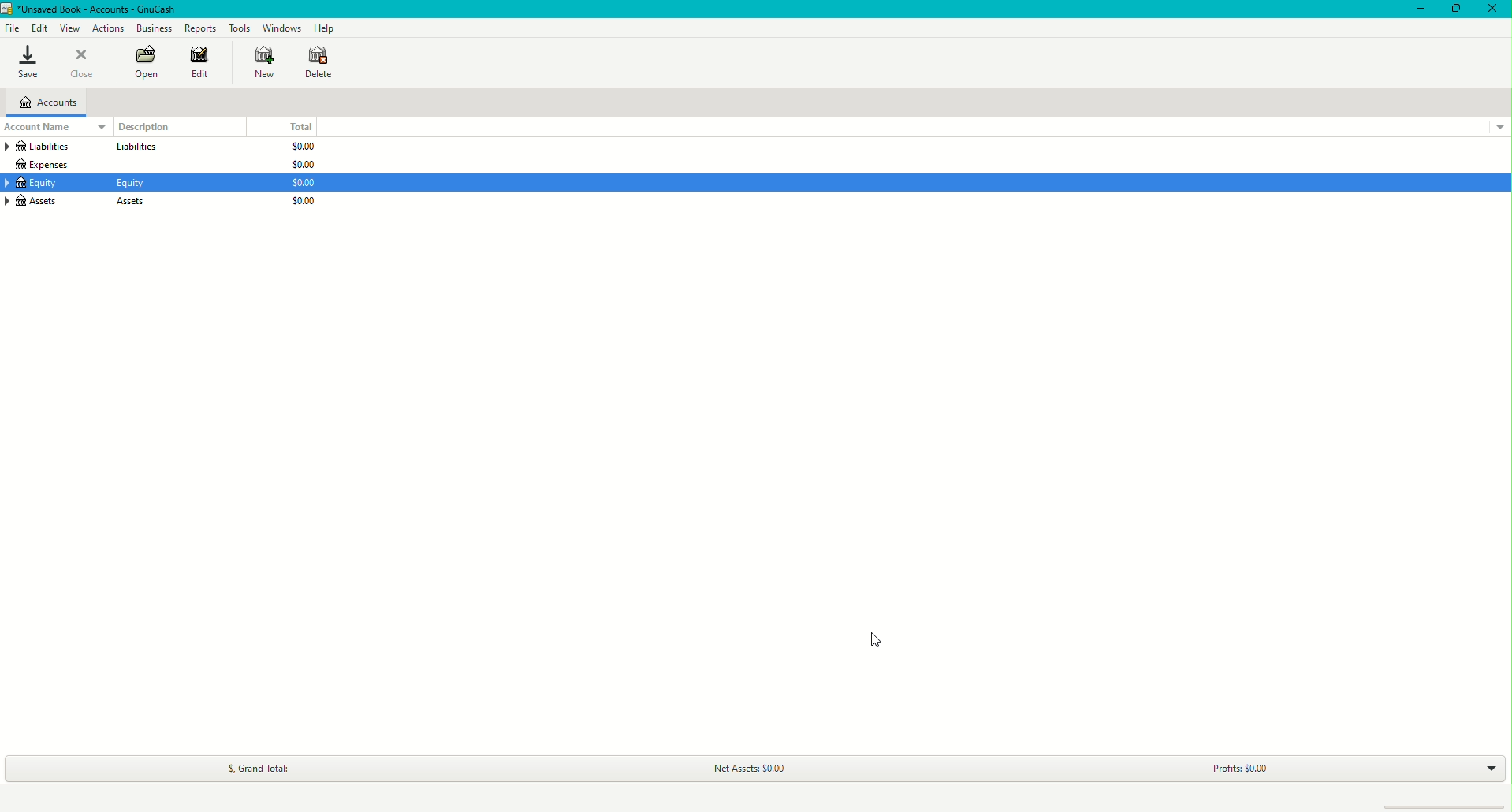 The width and height of the screenshot is (1512, 812). Describe the element at coordinates (300, 126) in the screenshot. I see `Total` at that location.